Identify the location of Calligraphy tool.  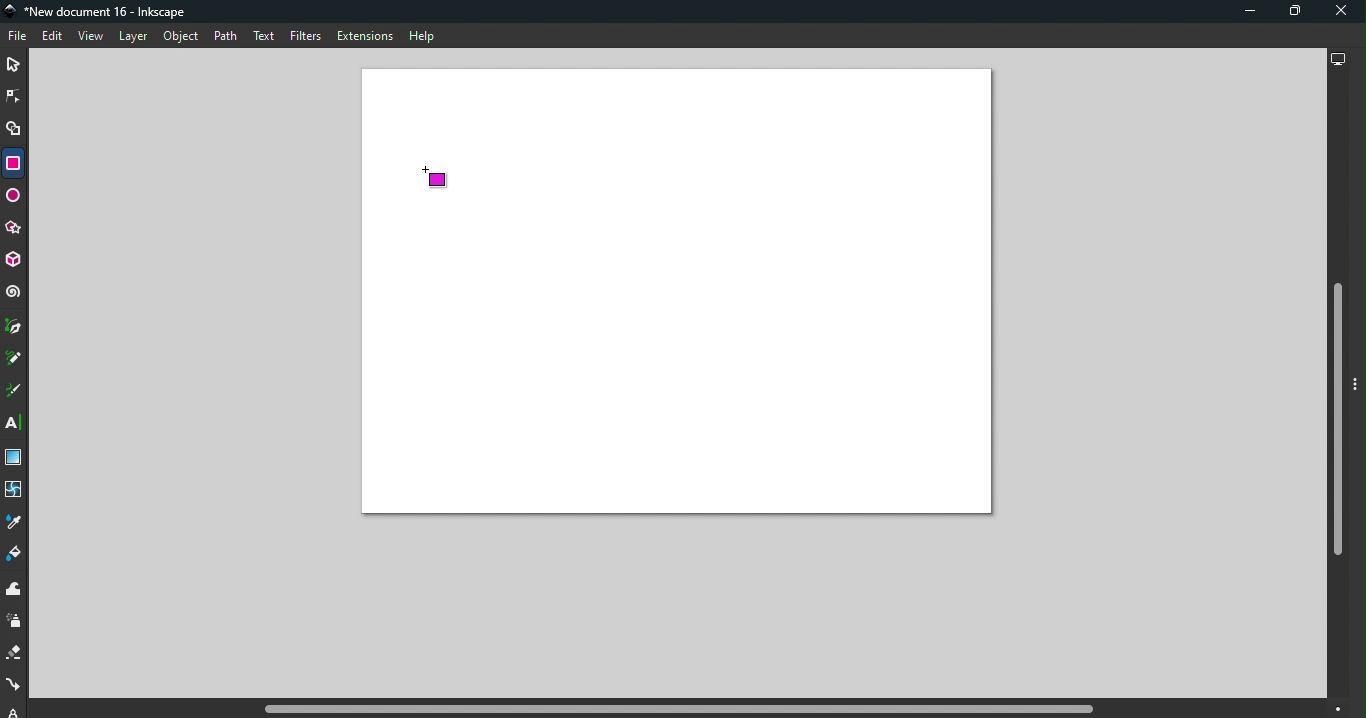
(15, 391).